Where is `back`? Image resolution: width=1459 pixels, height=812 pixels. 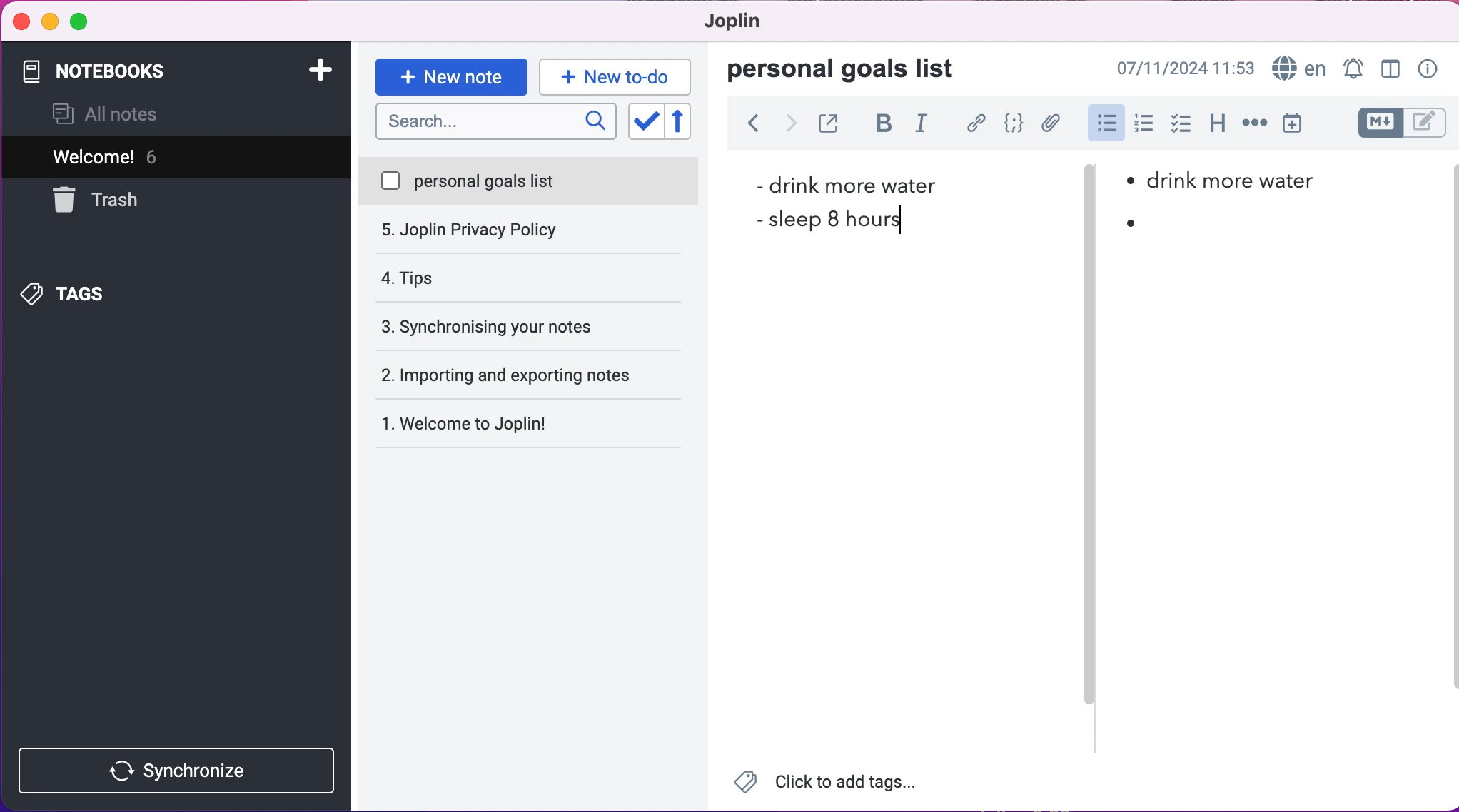 back is located at coordinates (753, 126).